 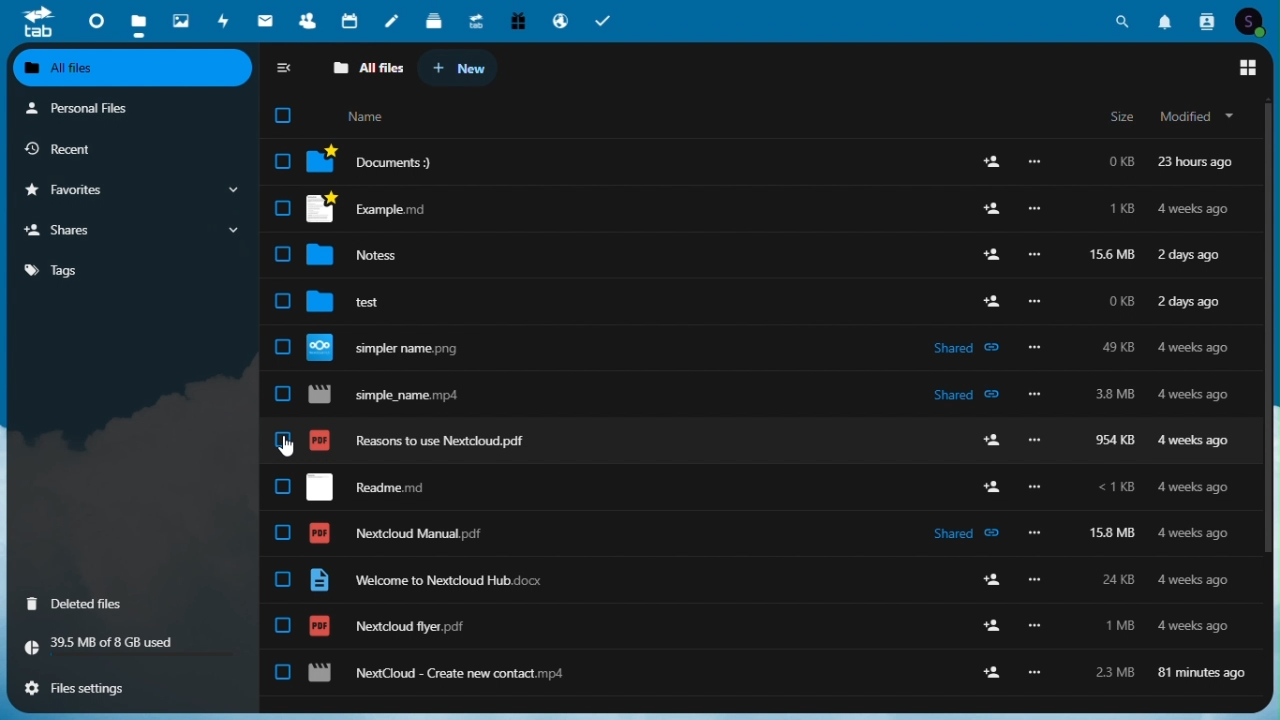 I want to click on shared, so click(x=963, y=531).